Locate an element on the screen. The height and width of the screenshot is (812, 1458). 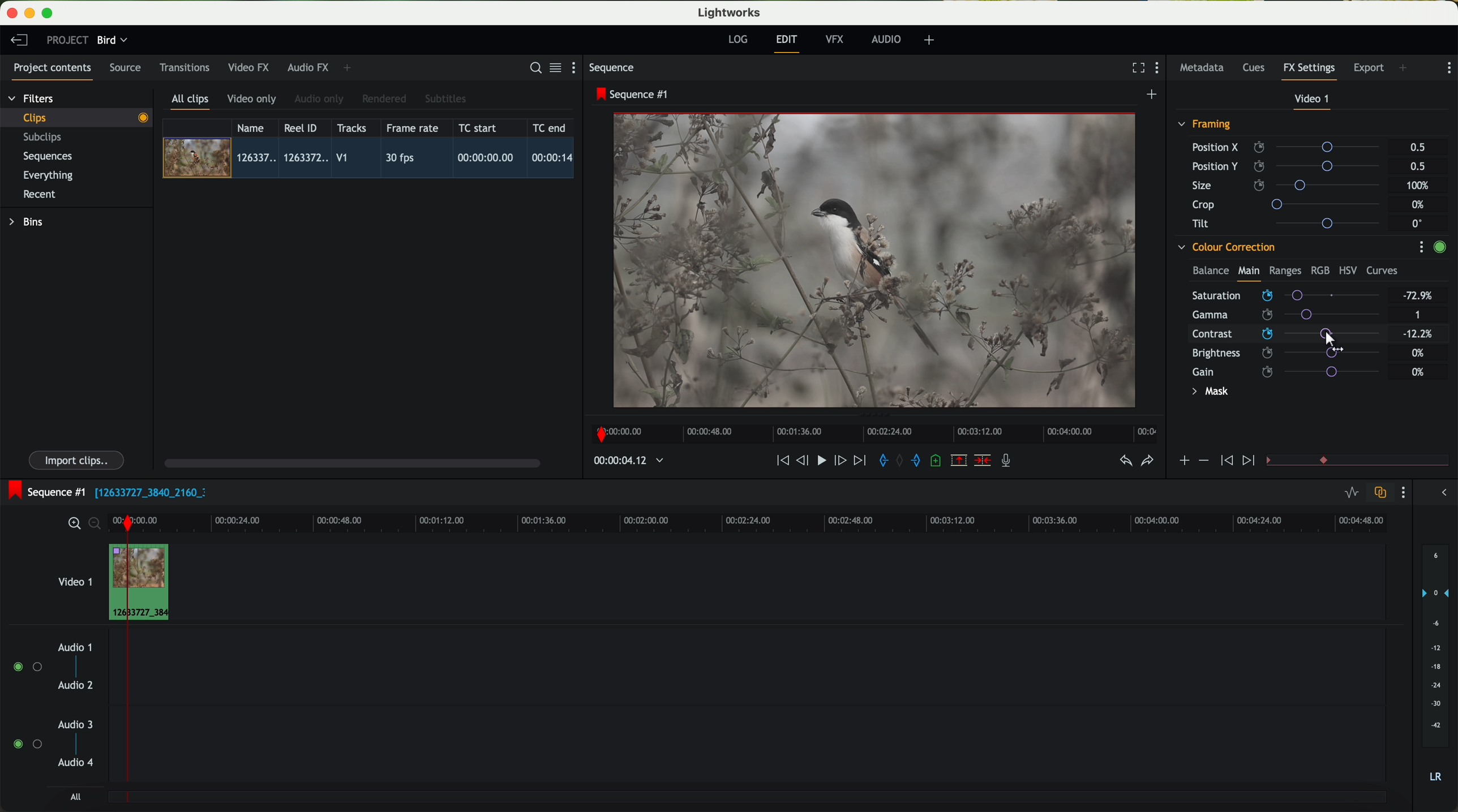
0% is located at coordinates (1418, 351).